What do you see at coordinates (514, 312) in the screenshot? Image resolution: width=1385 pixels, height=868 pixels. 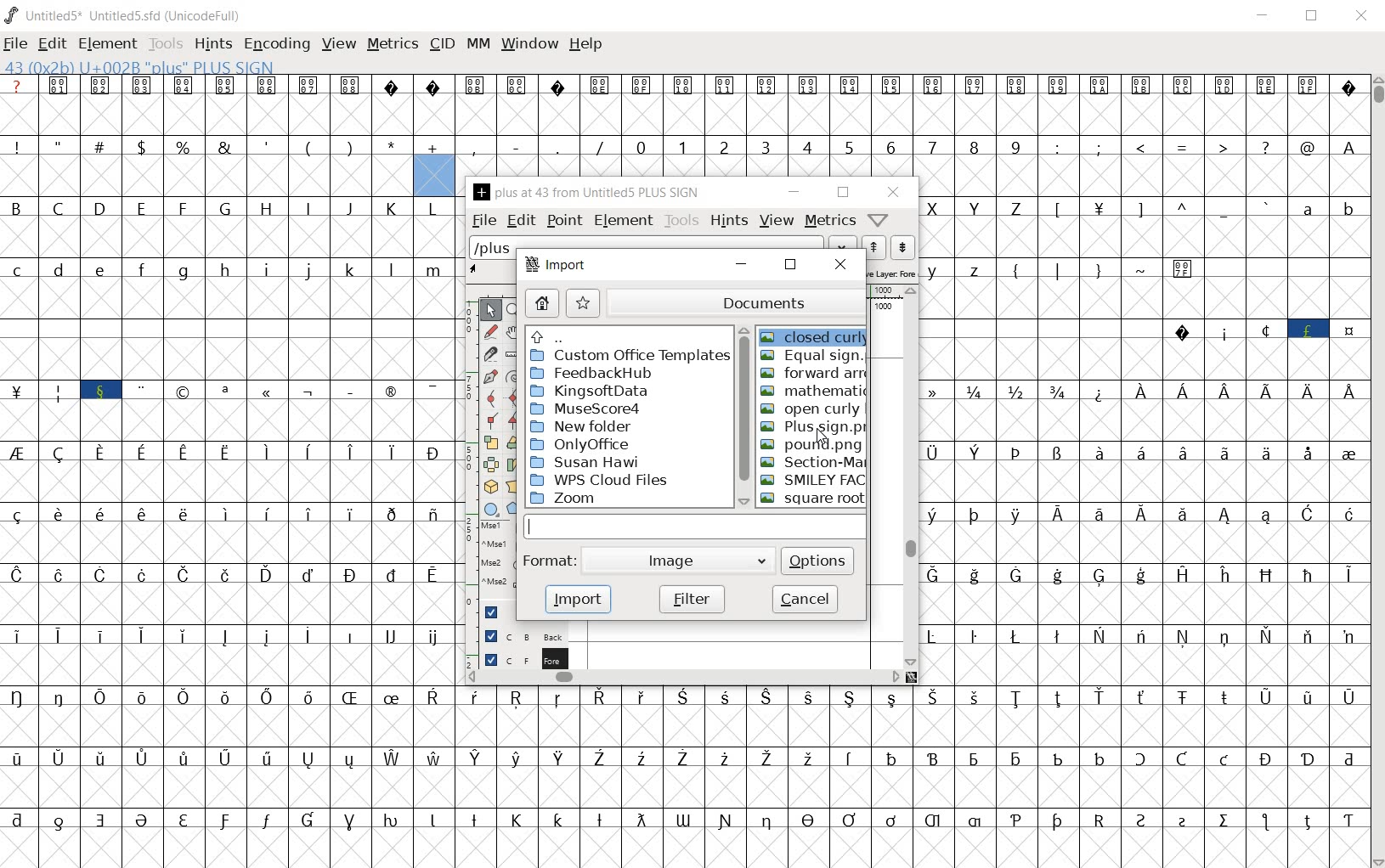 I see `MAGNIFY` at bounding box center [514, 312].